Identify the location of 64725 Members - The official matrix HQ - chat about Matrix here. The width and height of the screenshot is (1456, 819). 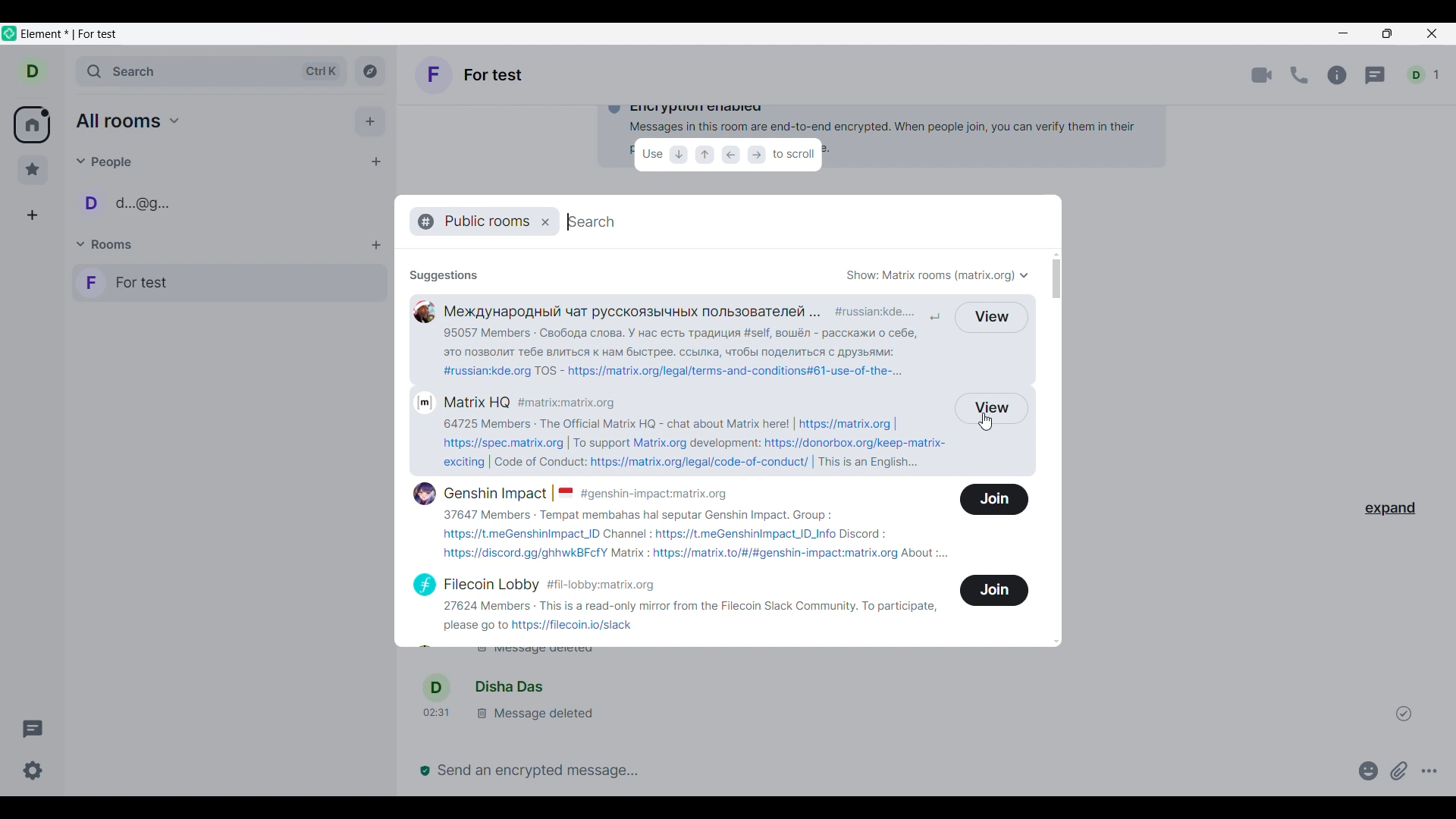
(613, 423).